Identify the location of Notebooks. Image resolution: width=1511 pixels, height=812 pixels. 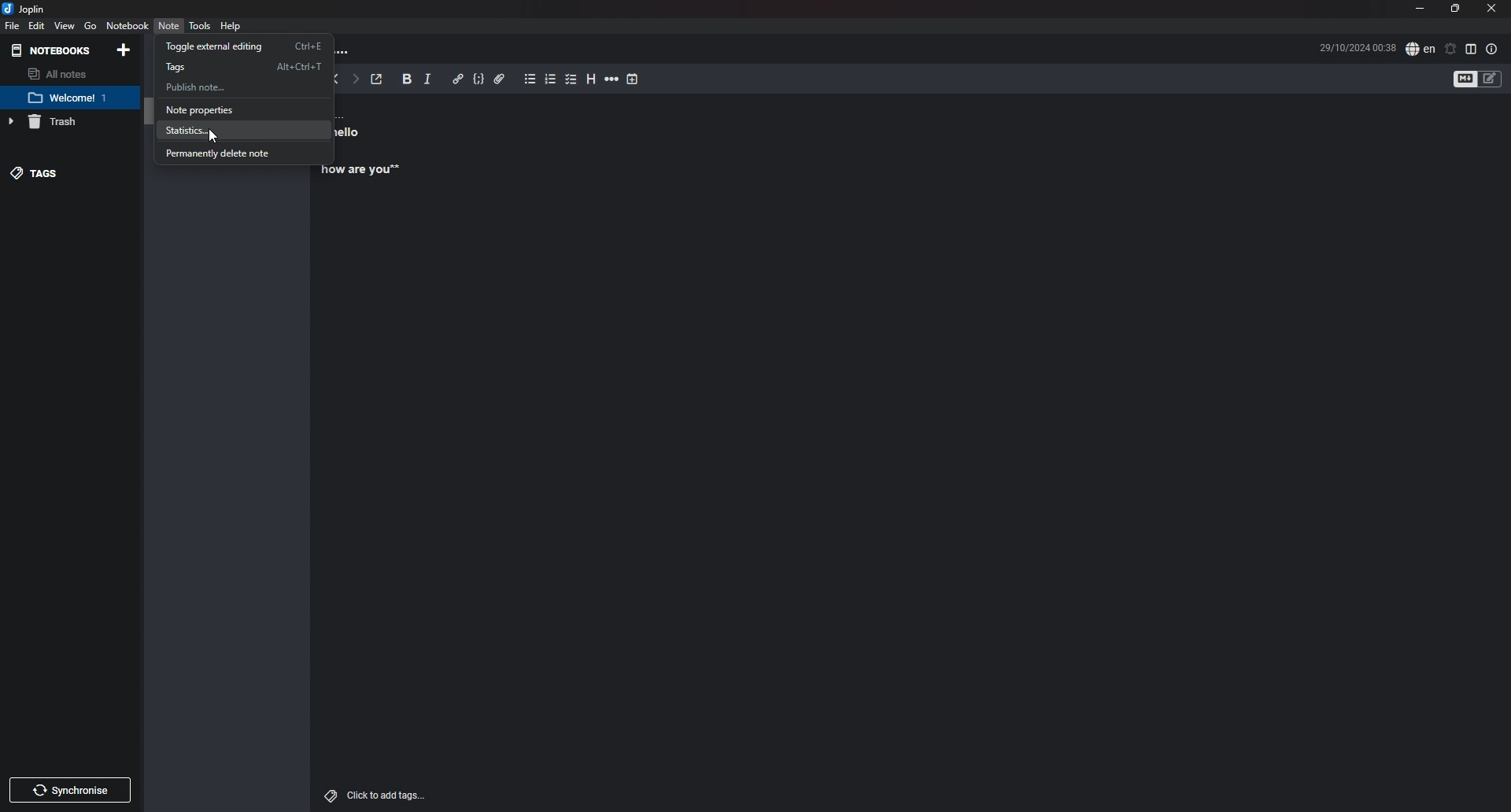
(50, 50).